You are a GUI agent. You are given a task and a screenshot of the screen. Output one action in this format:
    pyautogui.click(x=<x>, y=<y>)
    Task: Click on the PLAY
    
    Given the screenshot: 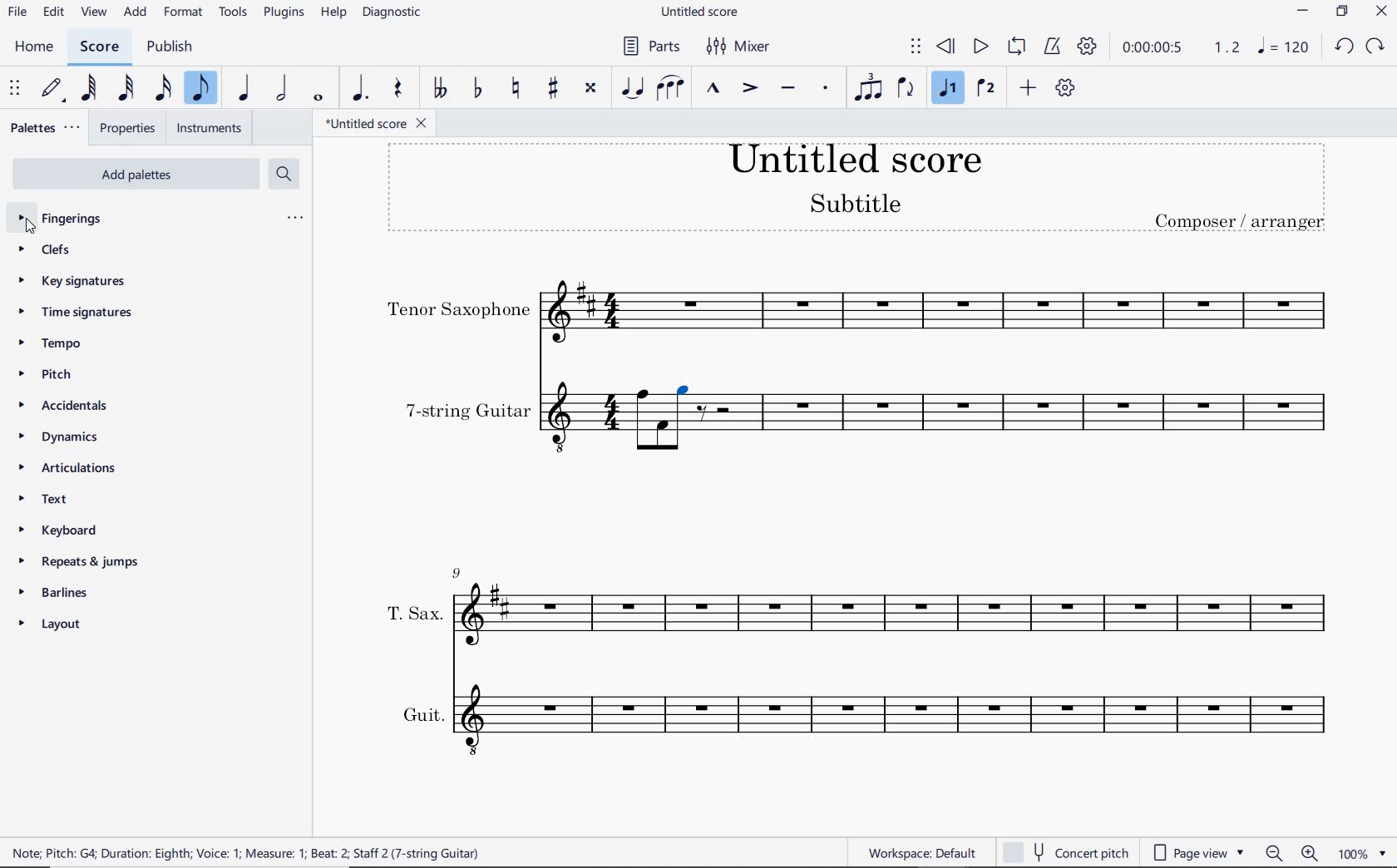 What is the action you would take?
    pyautogui.click(x=980, y=47)
    